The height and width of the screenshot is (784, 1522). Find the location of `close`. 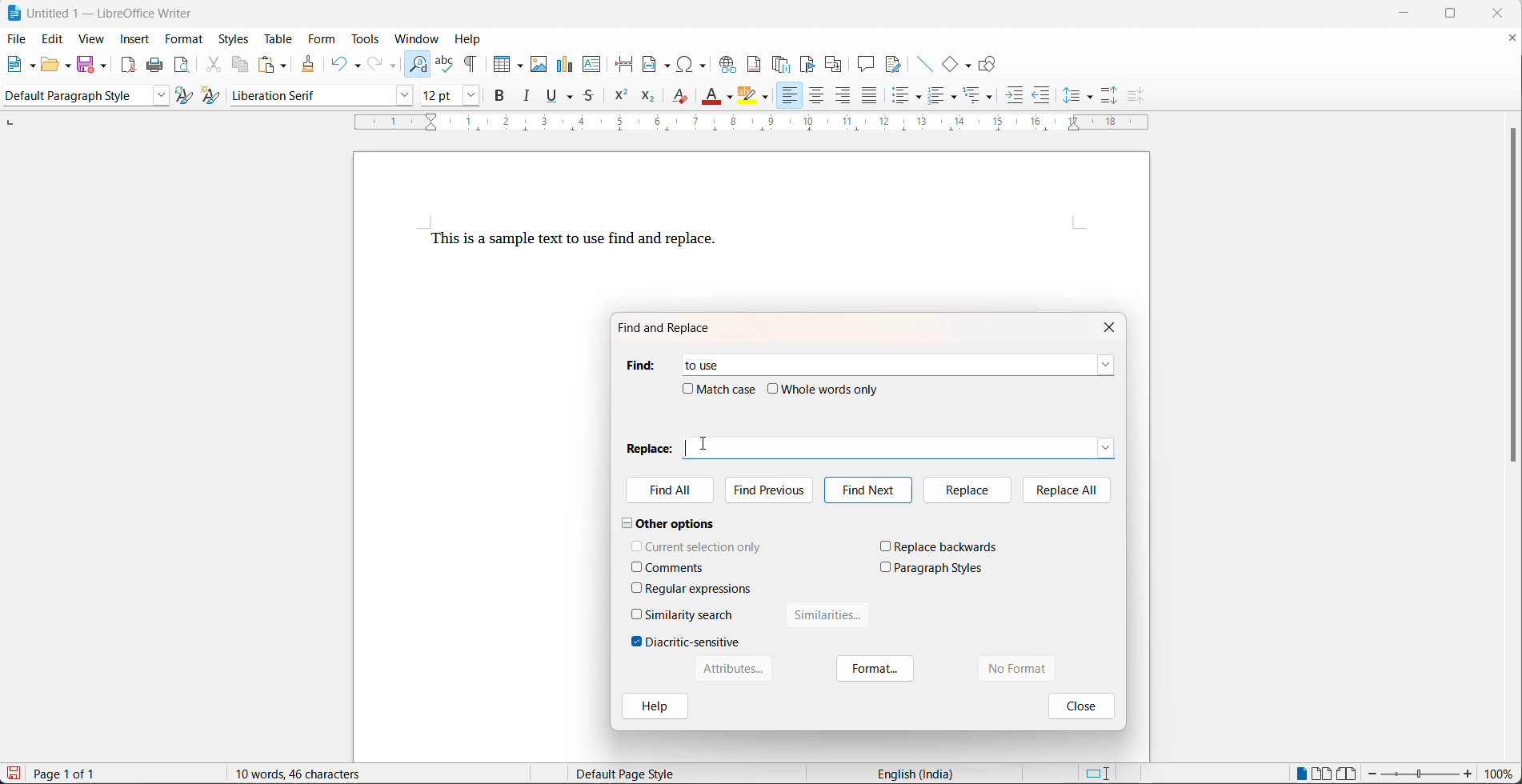

close is located at coordinates (1113, 326).